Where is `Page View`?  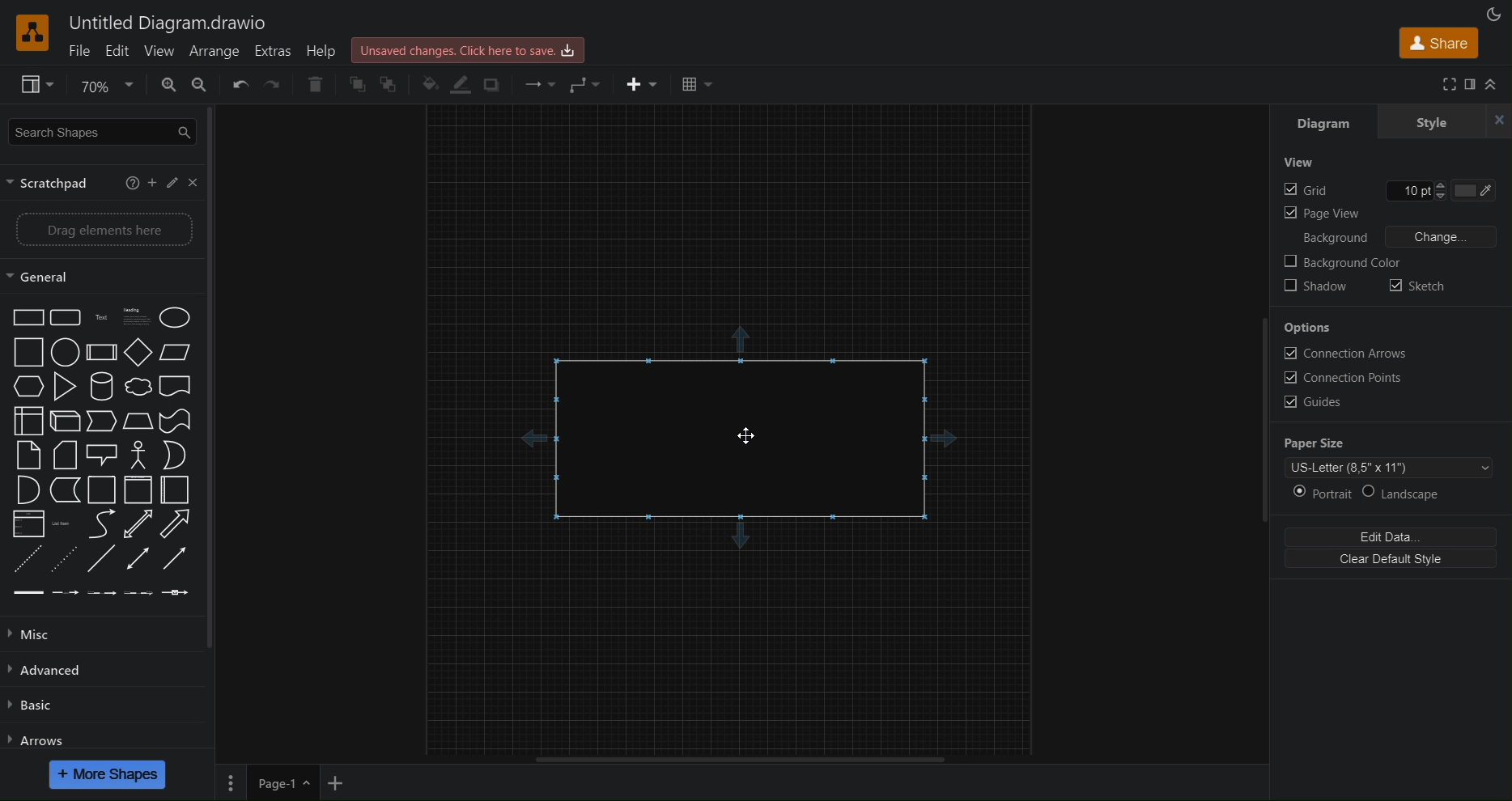 Page View is located at coordinates (1321, 215).